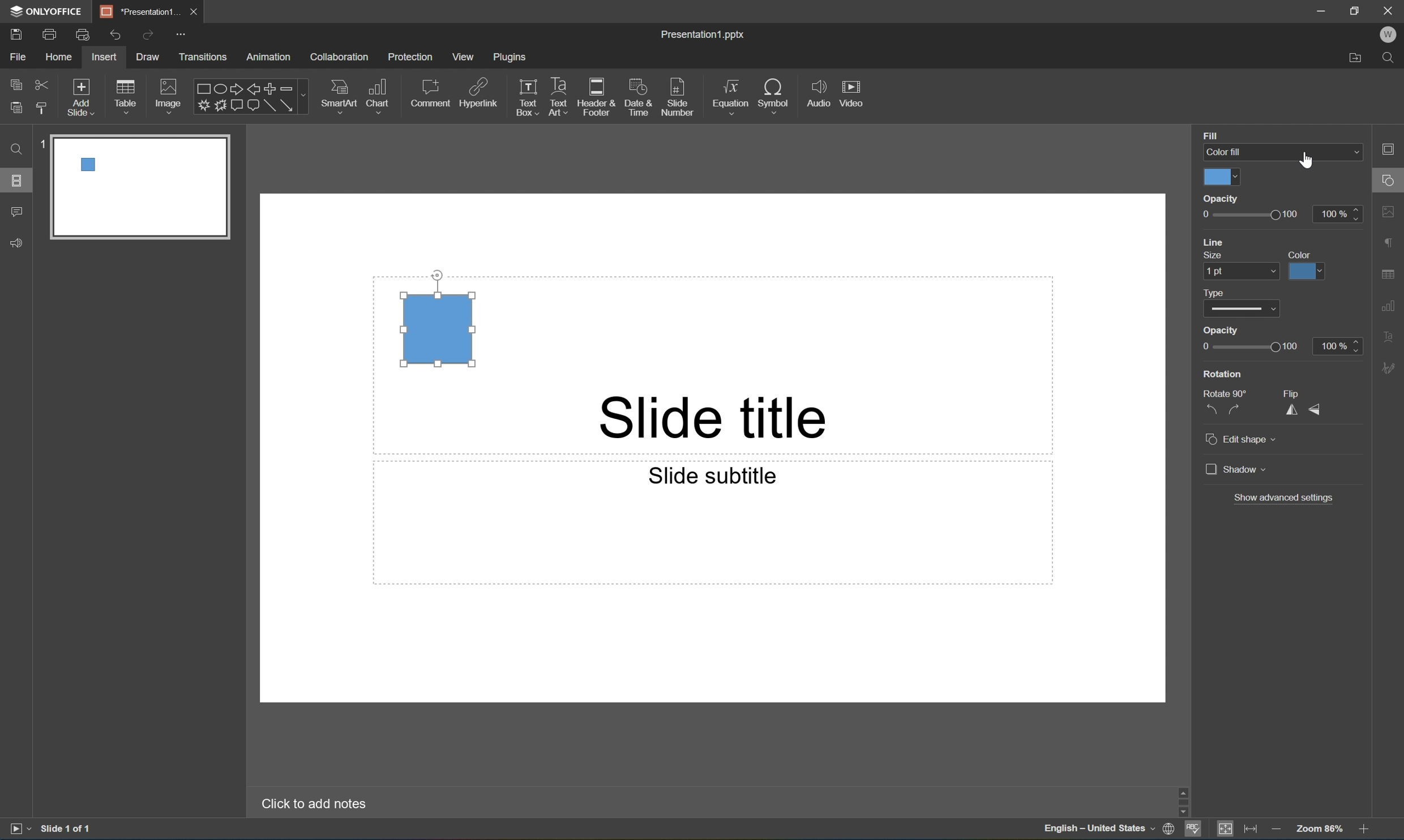 The image size is (1404, 840). Describe the element at coordinates (510, 57) in the screenshot. I see `Plugins` at that location.